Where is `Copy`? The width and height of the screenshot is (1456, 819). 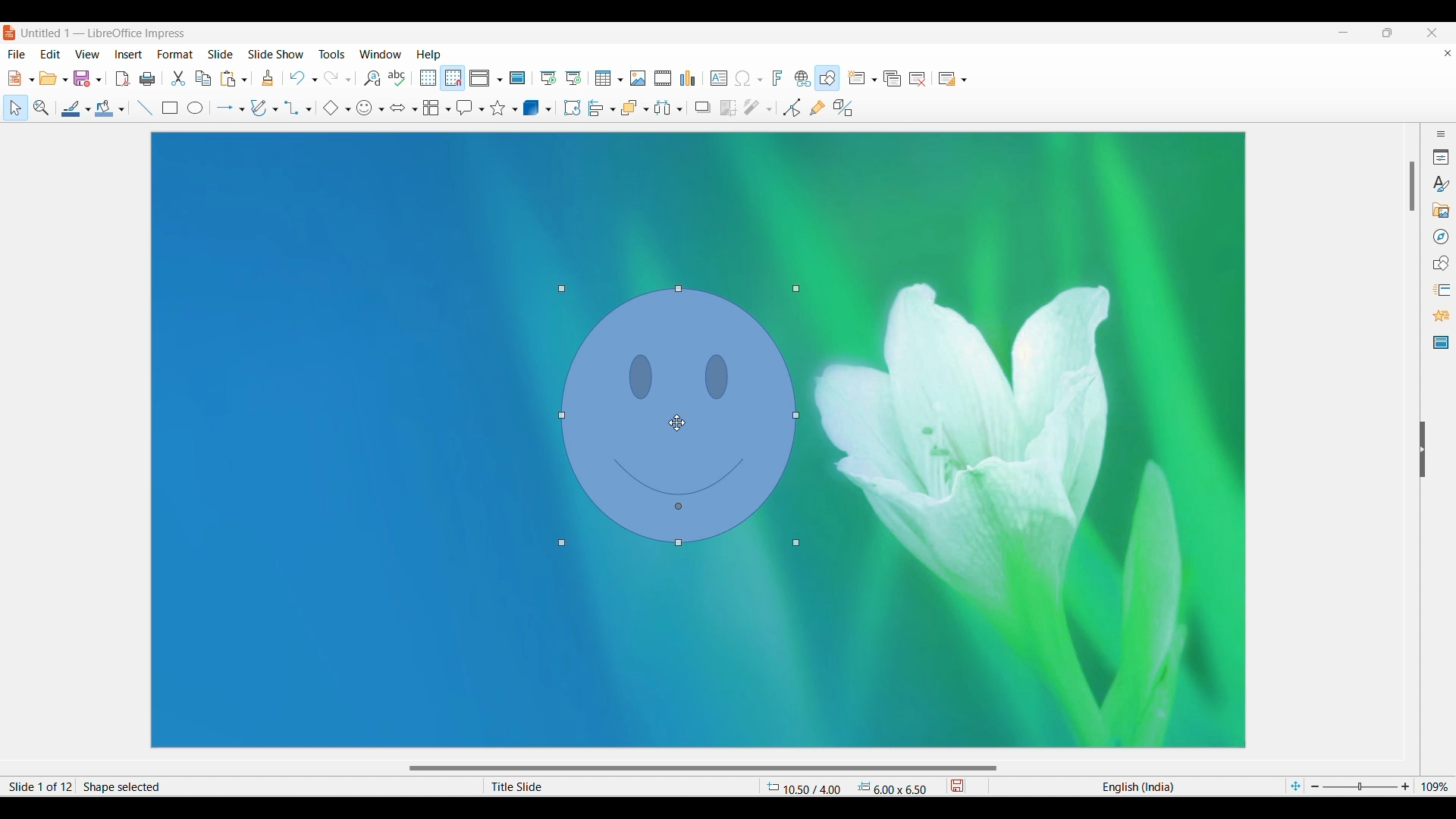 Copy is located at coordinates (203, 79).